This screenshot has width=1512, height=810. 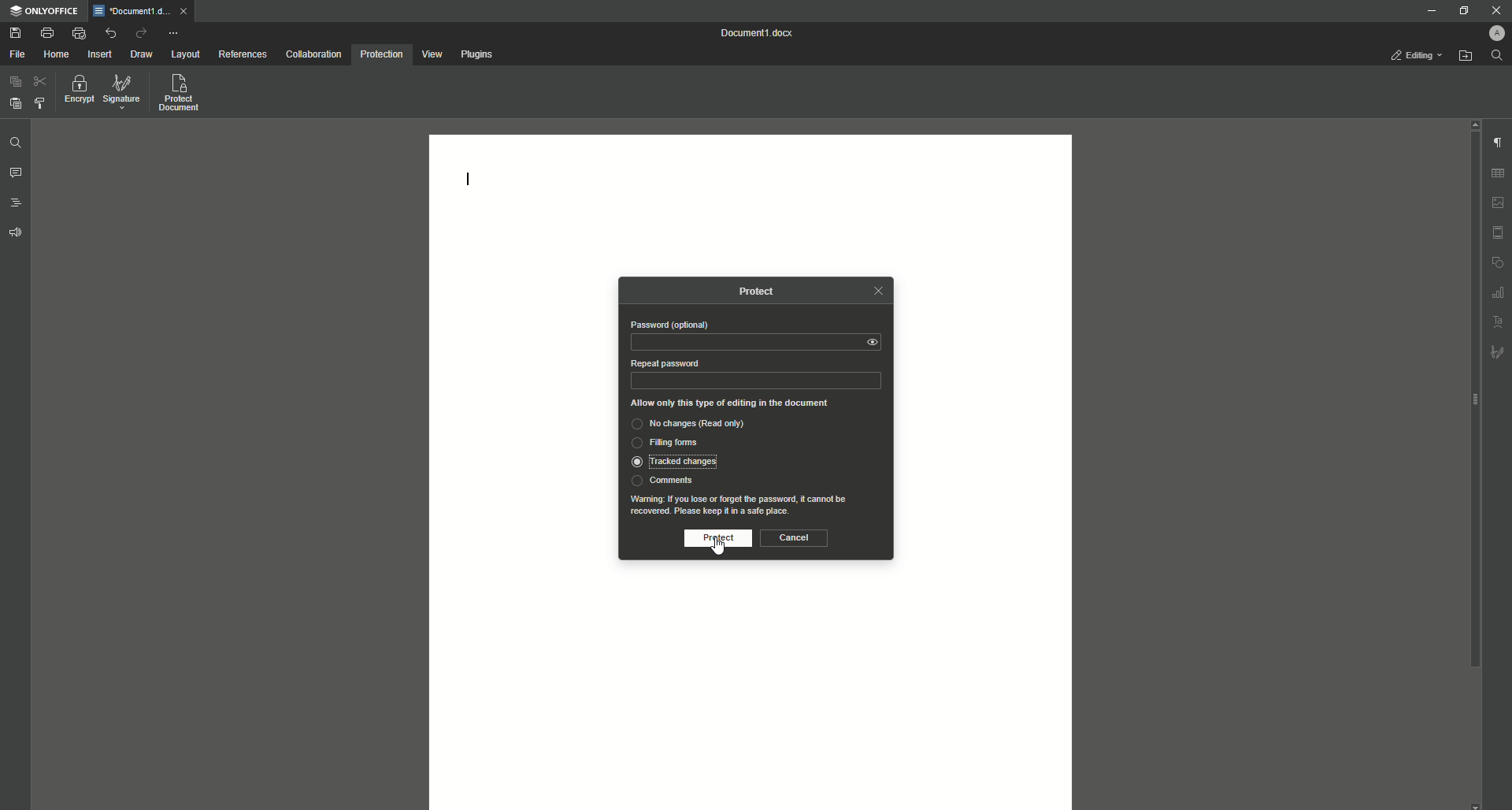 I want to click on Waning: If you lose or forget the password, it cannot berecovered. Please keep it in a safe place., so click(x=750, y=506).